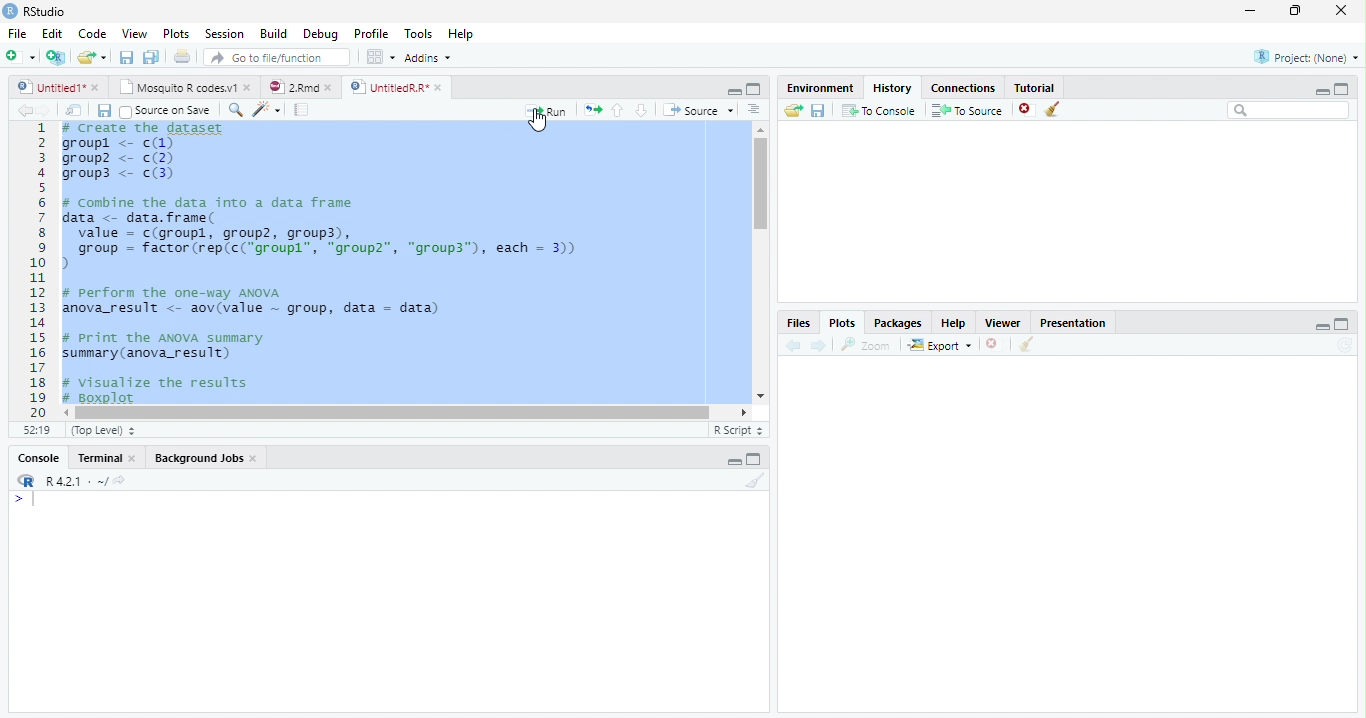  Describe the element at coordinates (821, 111) in the screenshot. I see `Save workspace as ` at that location.